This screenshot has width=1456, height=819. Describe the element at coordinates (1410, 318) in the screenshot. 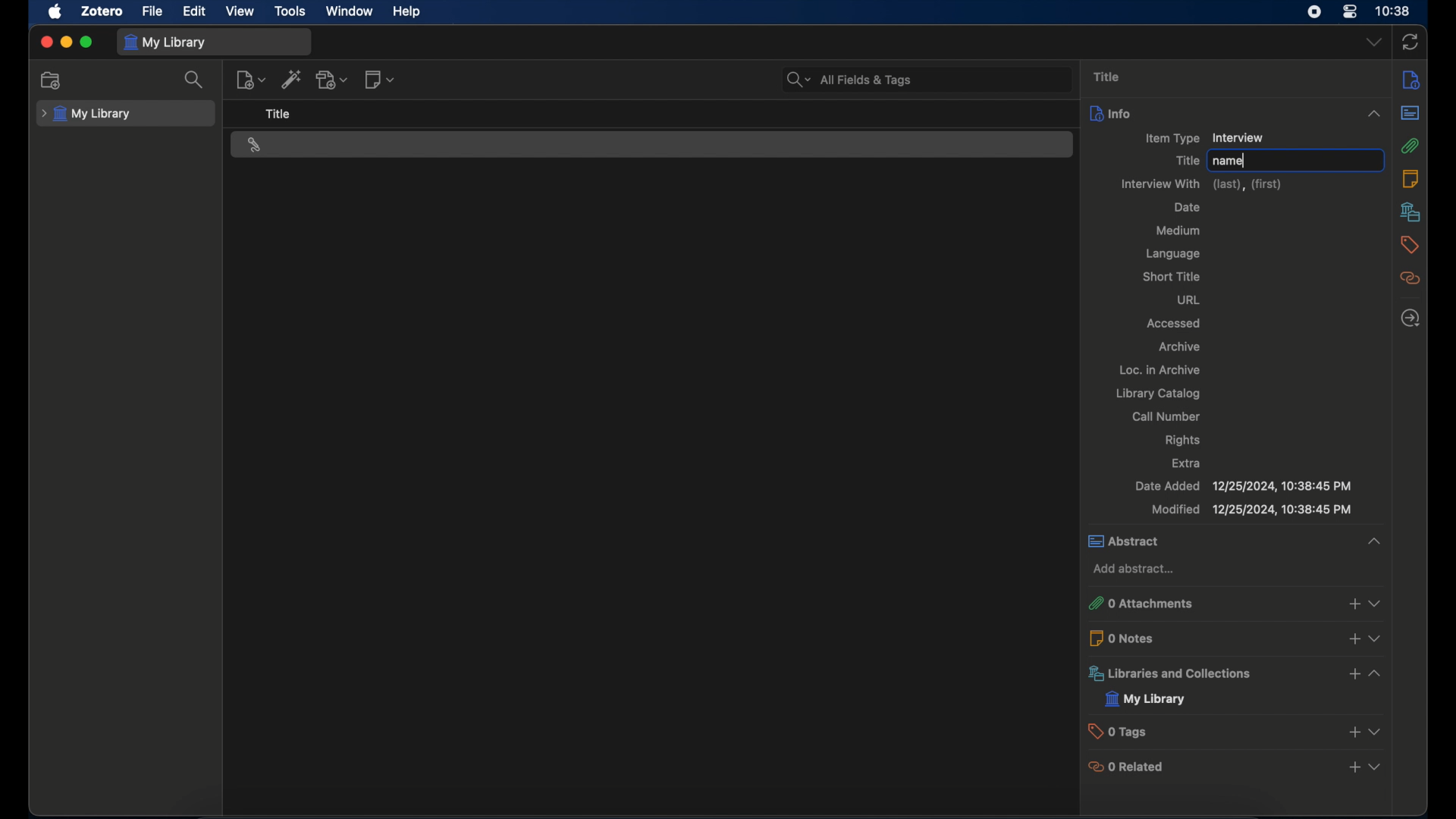

I see `locate` at that location.